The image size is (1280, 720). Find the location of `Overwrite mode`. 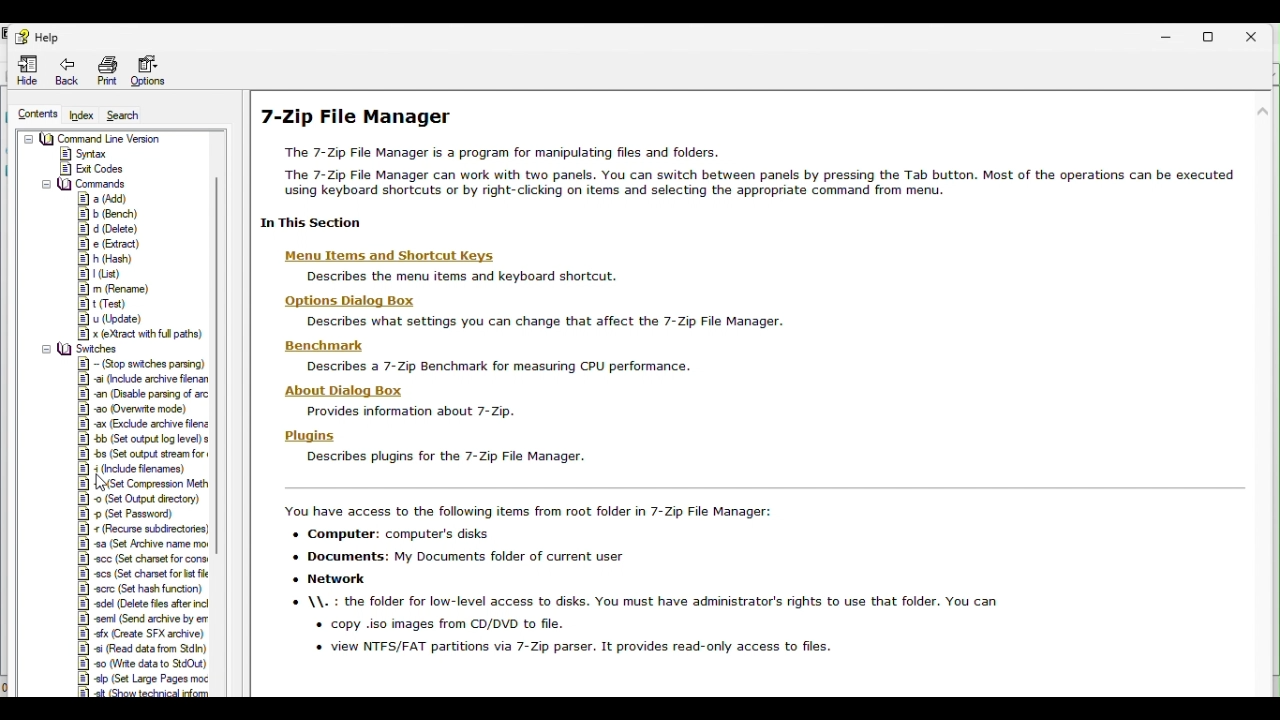

Overwrite mode is located at coordinates (136, 410).